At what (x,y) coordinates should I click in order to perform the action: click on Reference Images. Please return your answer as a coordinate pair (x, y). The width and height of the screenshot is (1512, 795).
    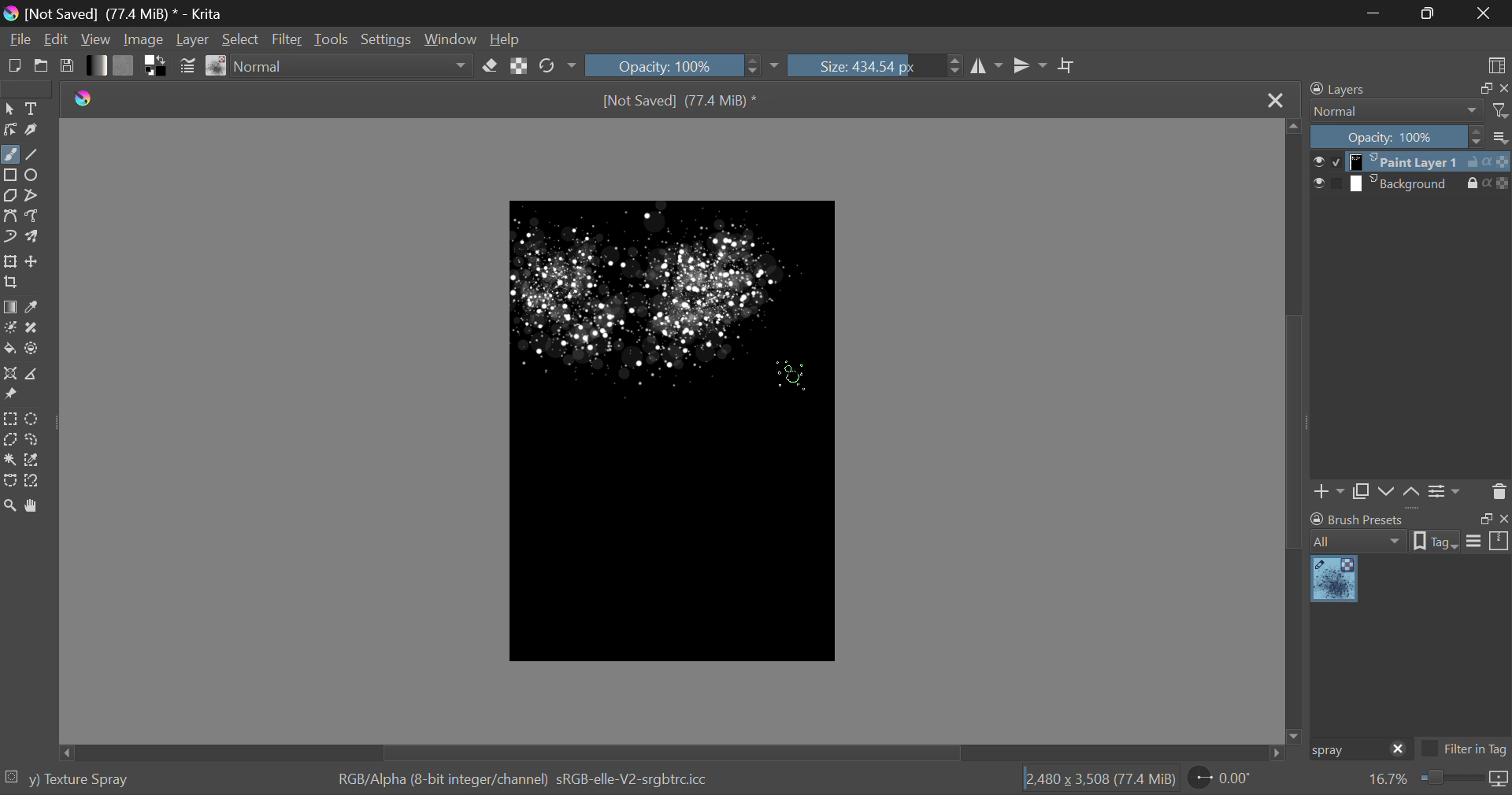
    Looking at the image, I should click on (9, 394).